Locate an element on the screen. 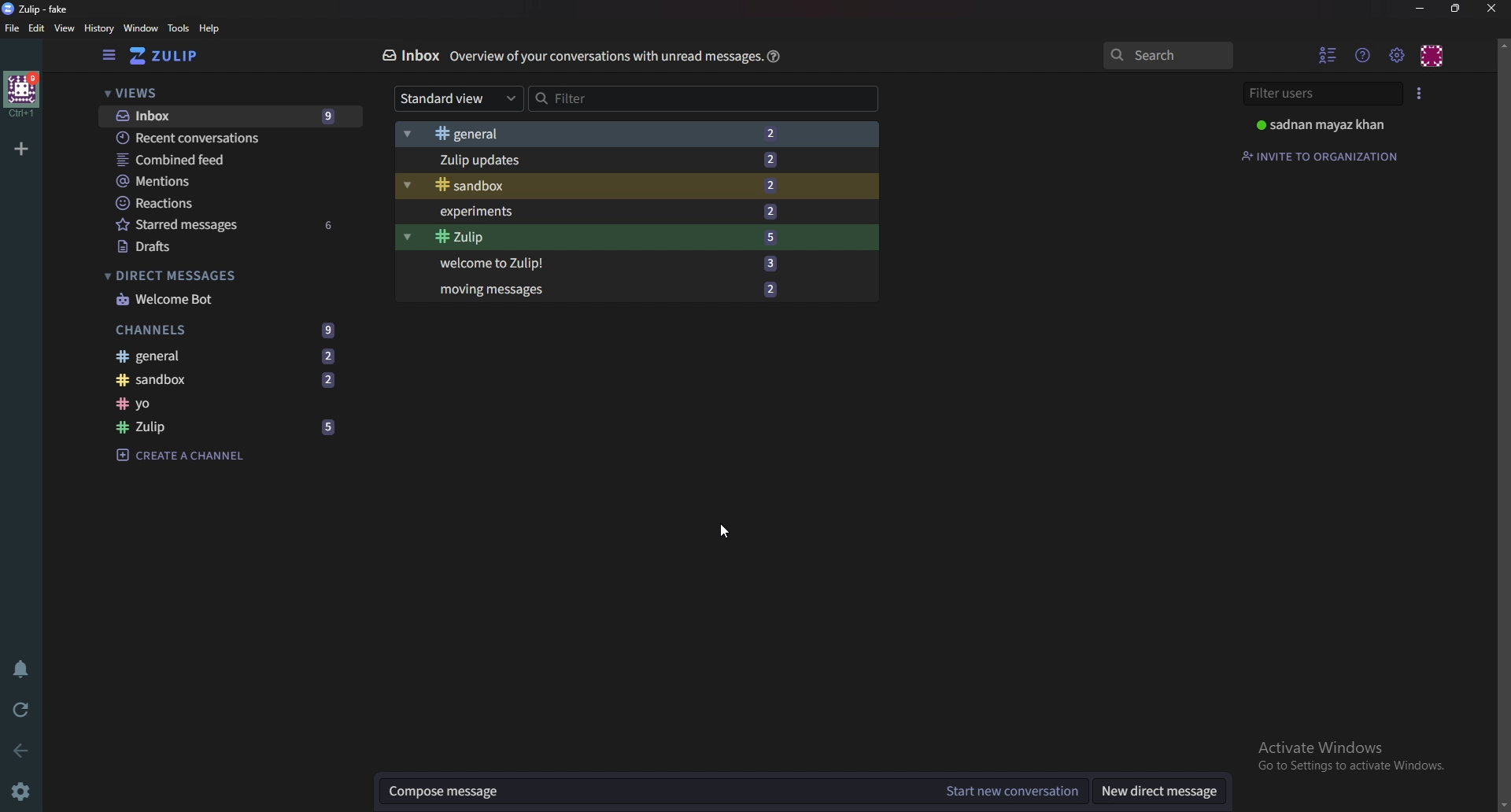  File is located at coordinates (13, 28).